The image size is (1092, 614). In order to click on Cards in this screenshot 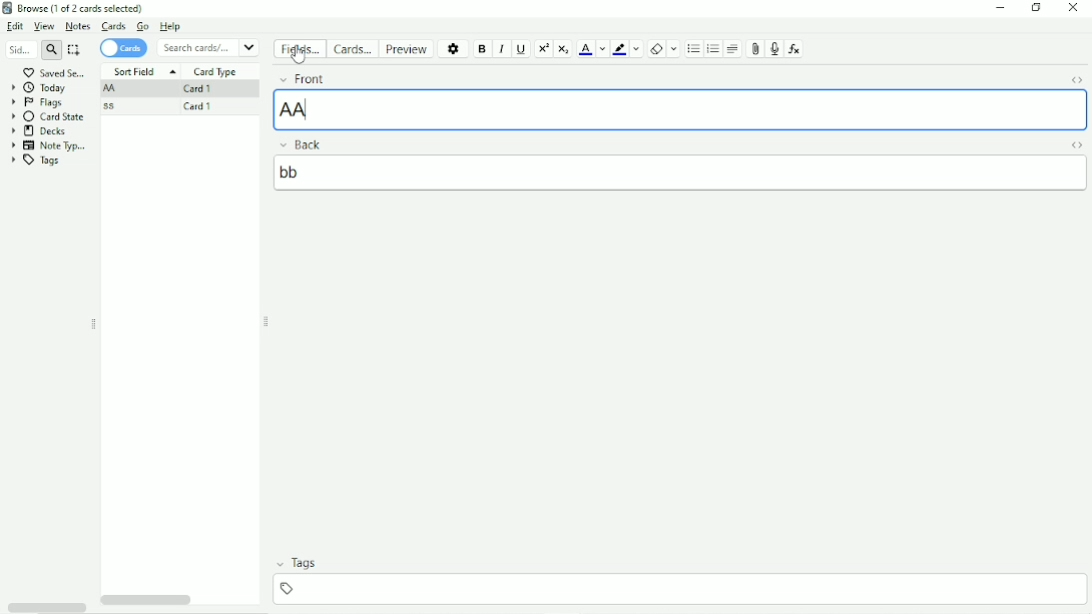, I will do `click(126, 48)`.